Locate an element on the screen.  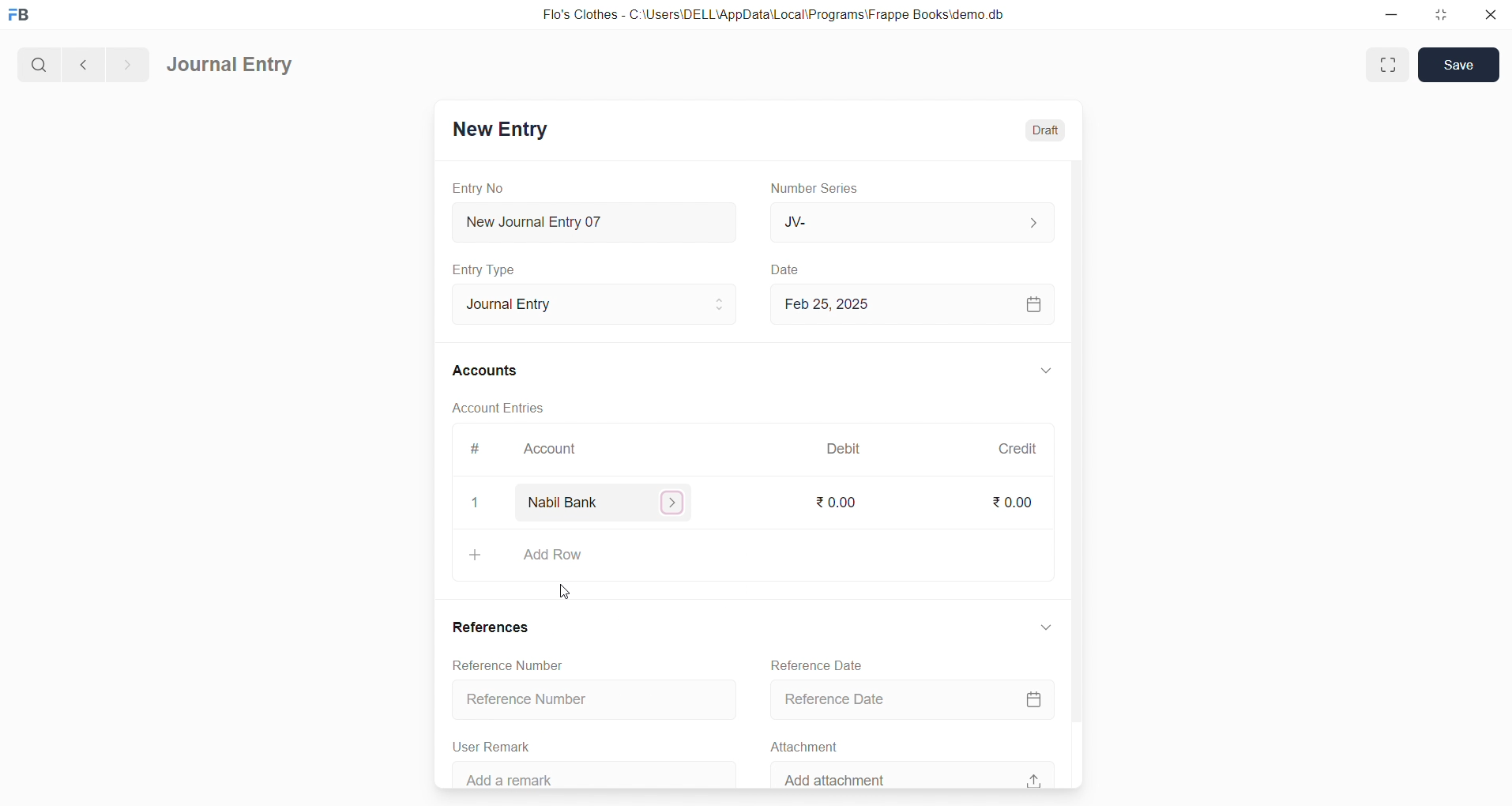
Date is located at coordinates (785, 269).